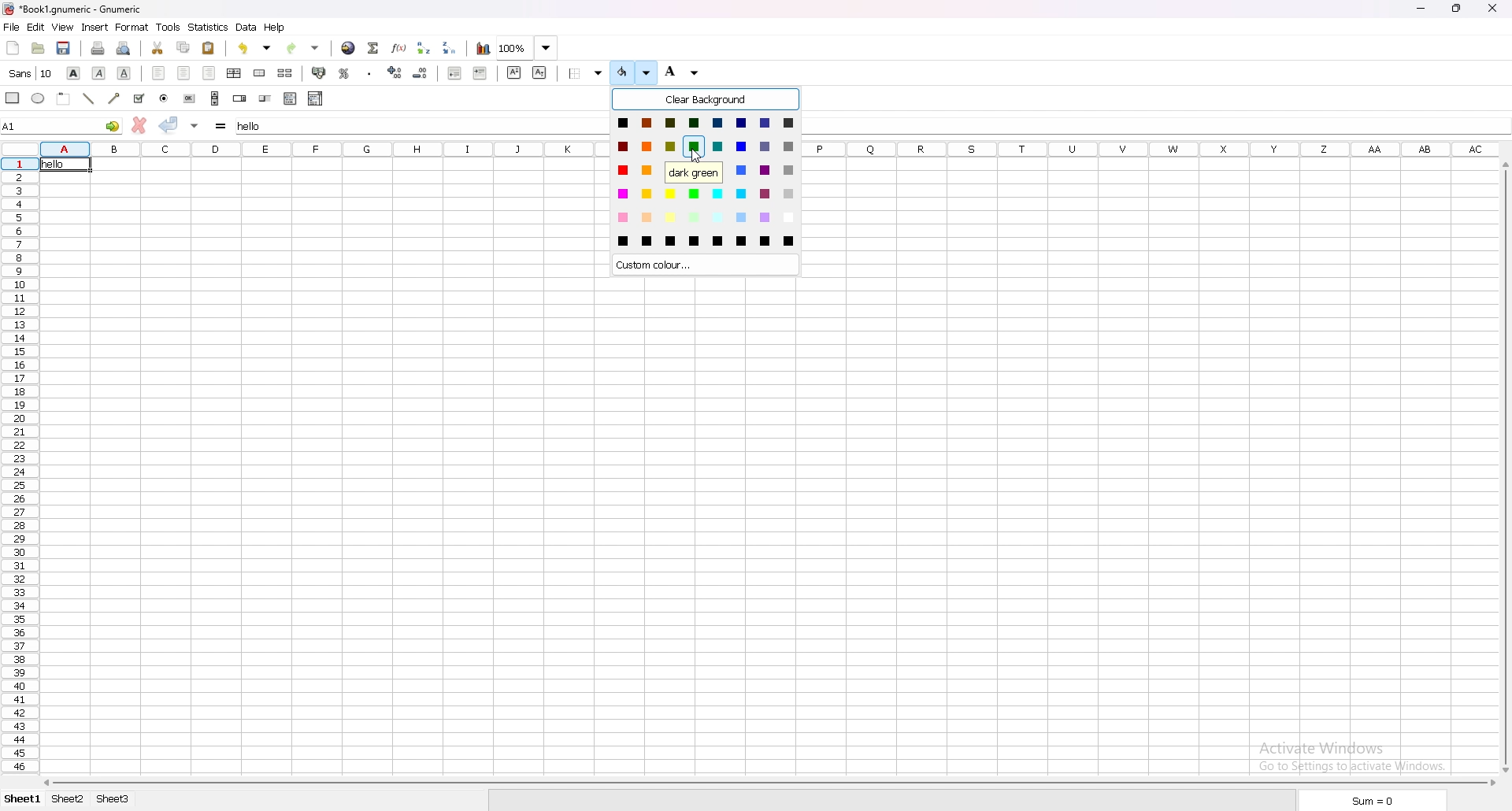 The width and height of the screenshot is (1512, 811). What do you see at coordinates (63, 165) in the screenshot?
I see `cell` at bounding box center [63, 165].